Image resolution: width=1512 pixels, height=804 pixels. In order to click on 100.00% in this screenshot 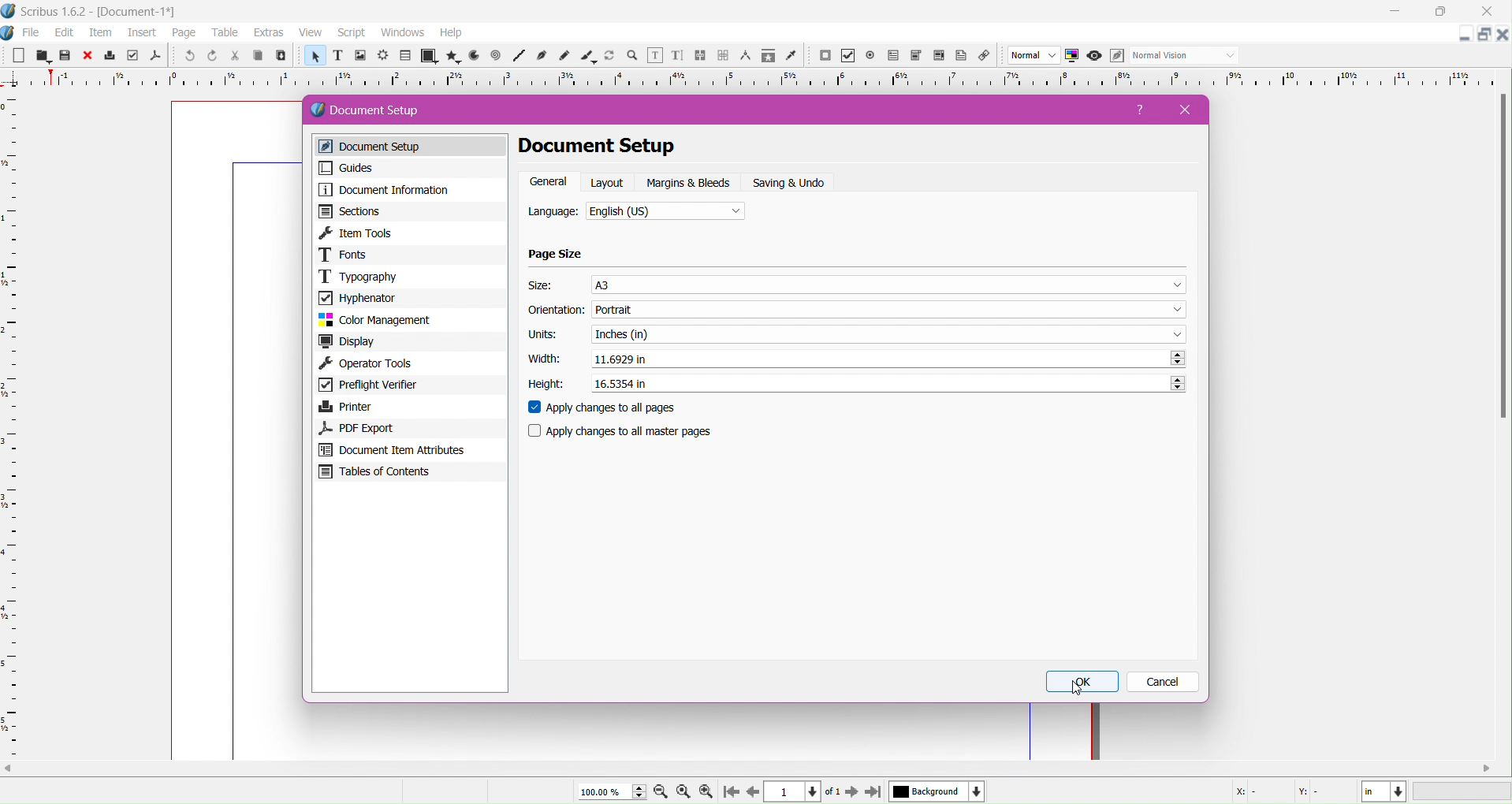, I will do `click(609, 791)`.